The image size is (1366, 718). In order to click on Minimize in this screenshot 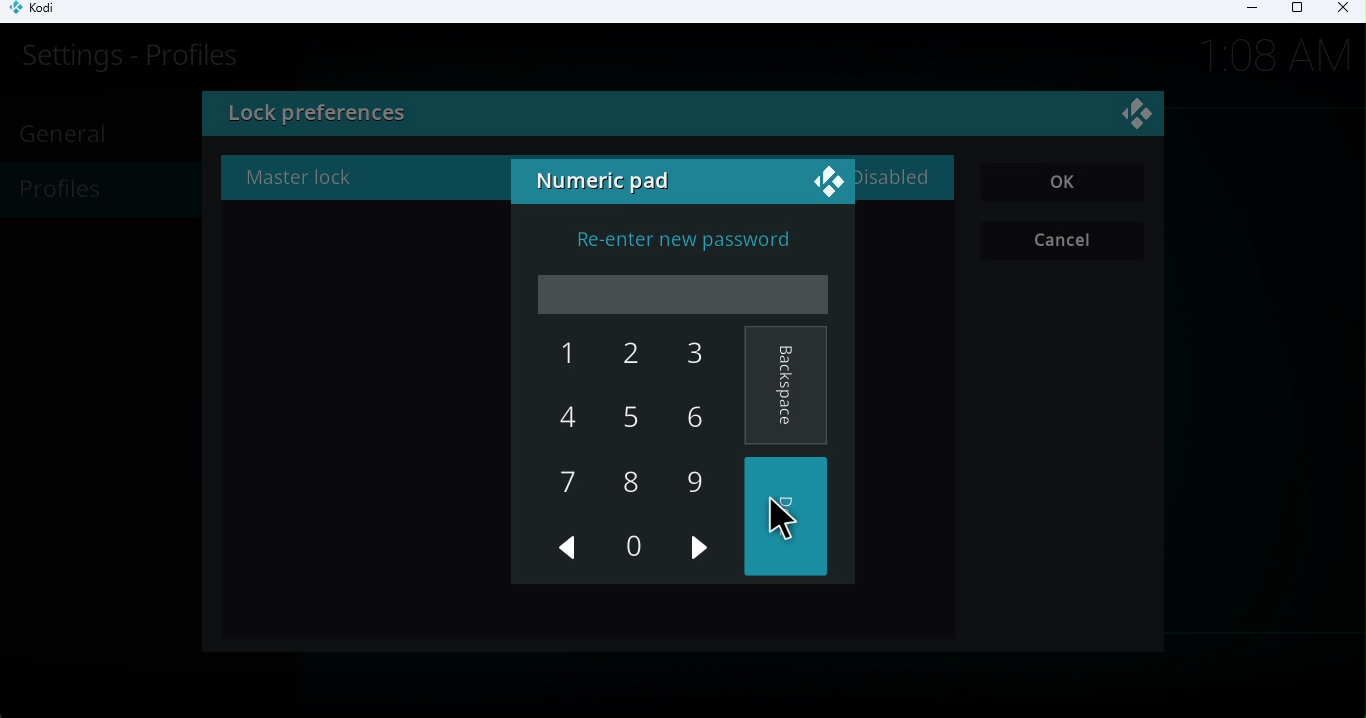, I will do `click(1245, 11)`.